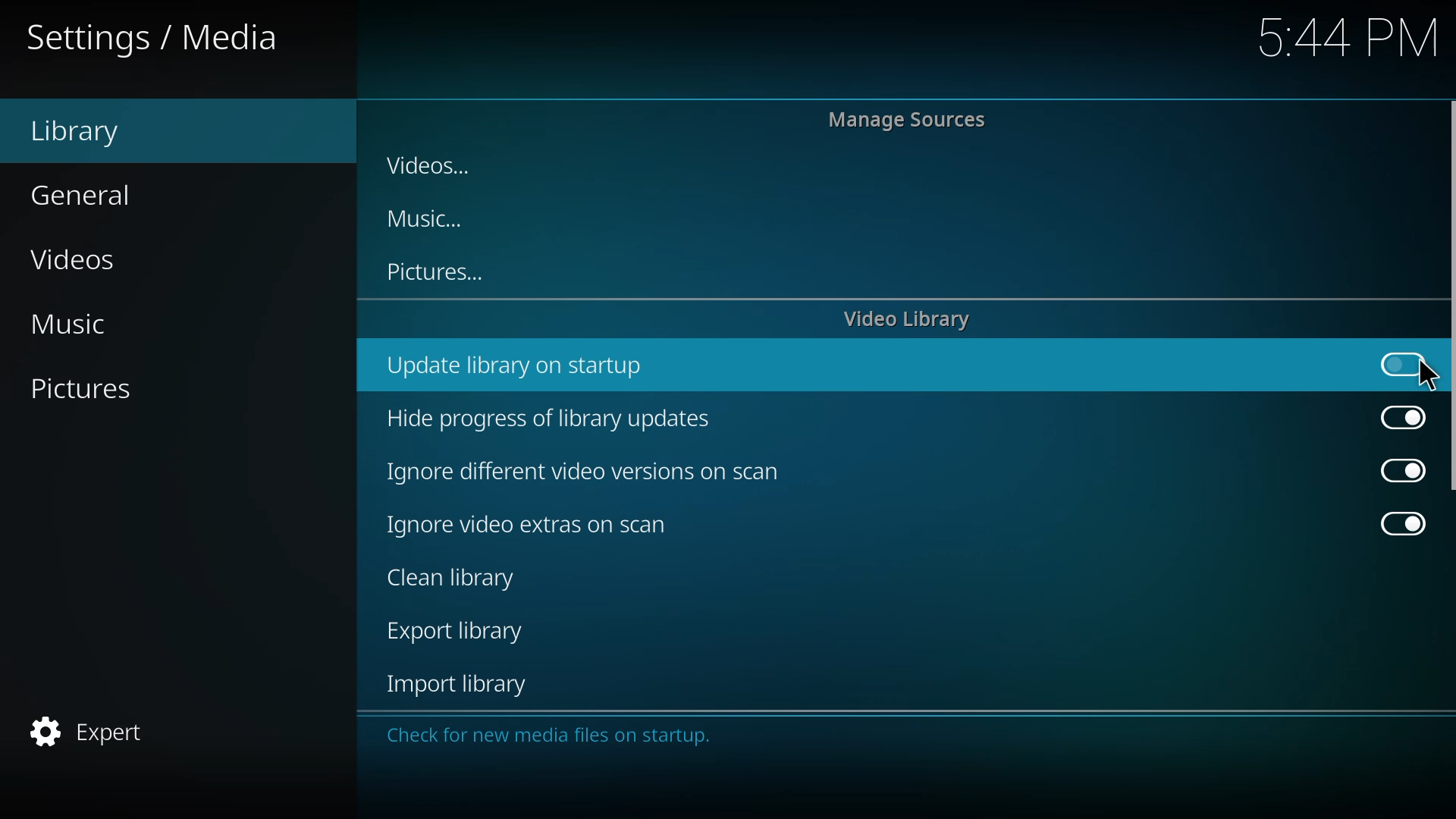 The width and height of the screenshot is (1456, 819). Describe the element at coordinates (92, 387) in the screenshot. I see `pictures` at that location.